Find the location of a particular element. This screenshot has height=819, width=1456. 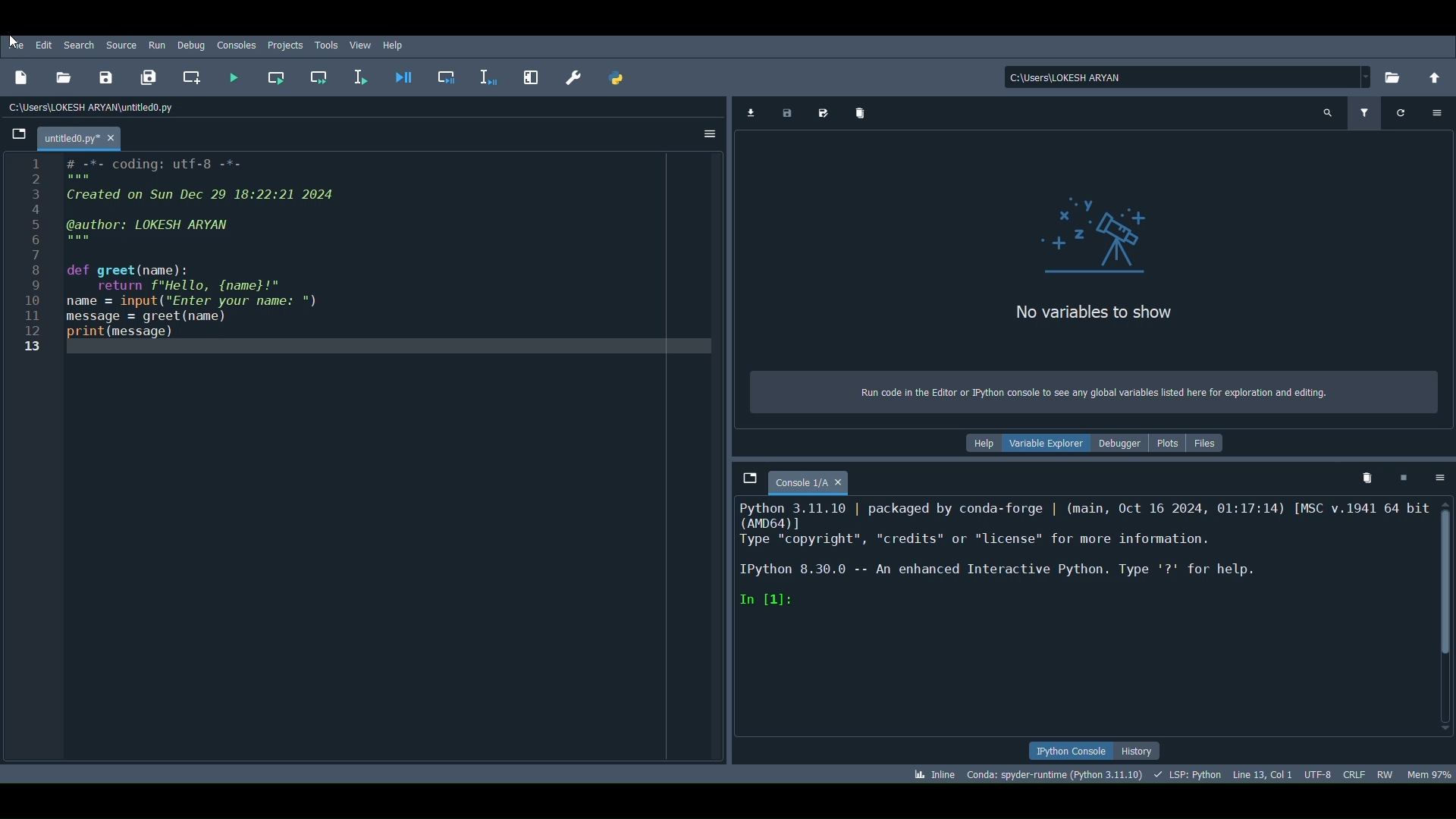

Debug is located at coordinates (191, 45).